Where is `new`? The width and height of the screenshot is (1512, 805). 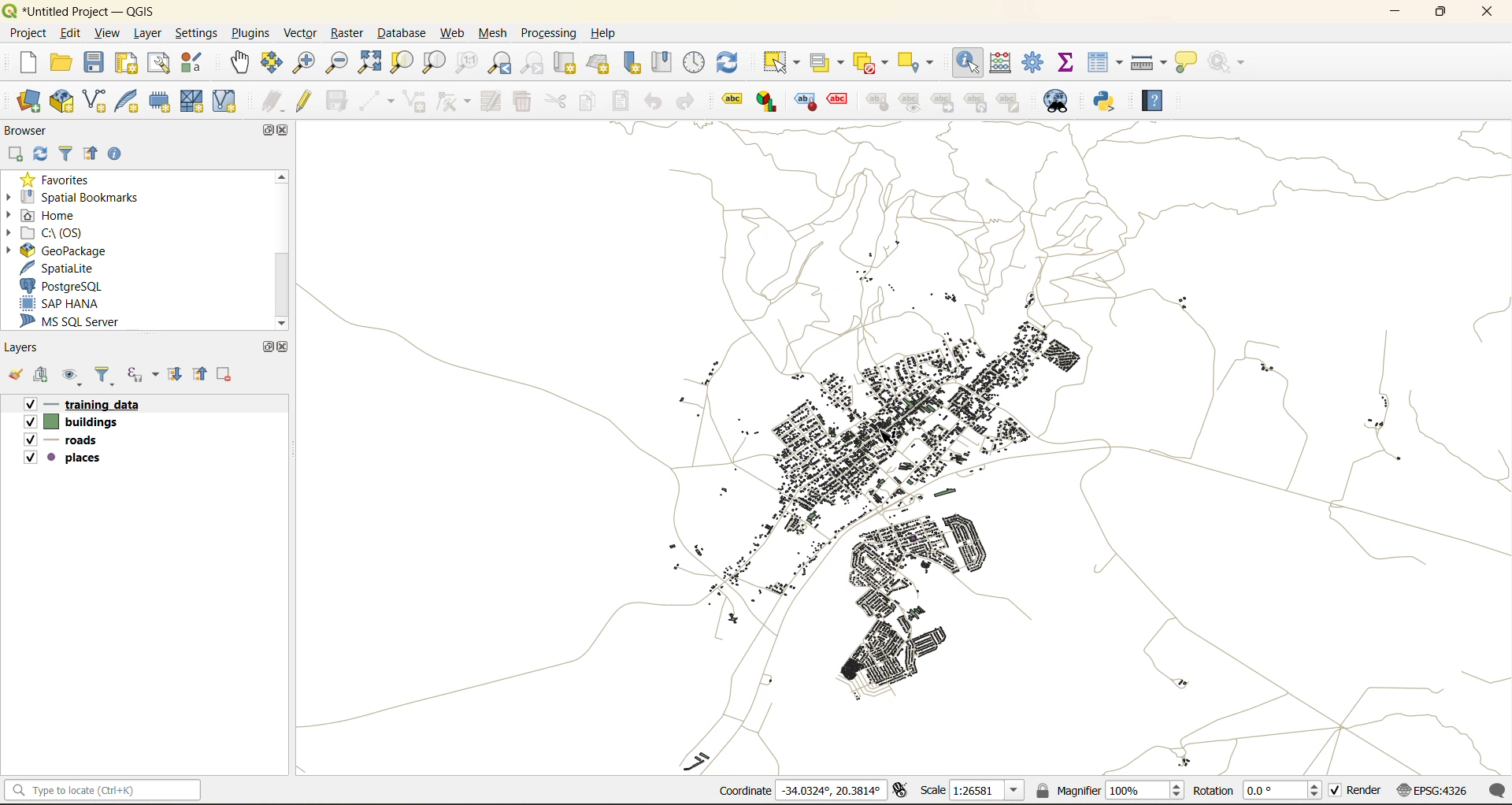 new is located at coordinates (20, 65).